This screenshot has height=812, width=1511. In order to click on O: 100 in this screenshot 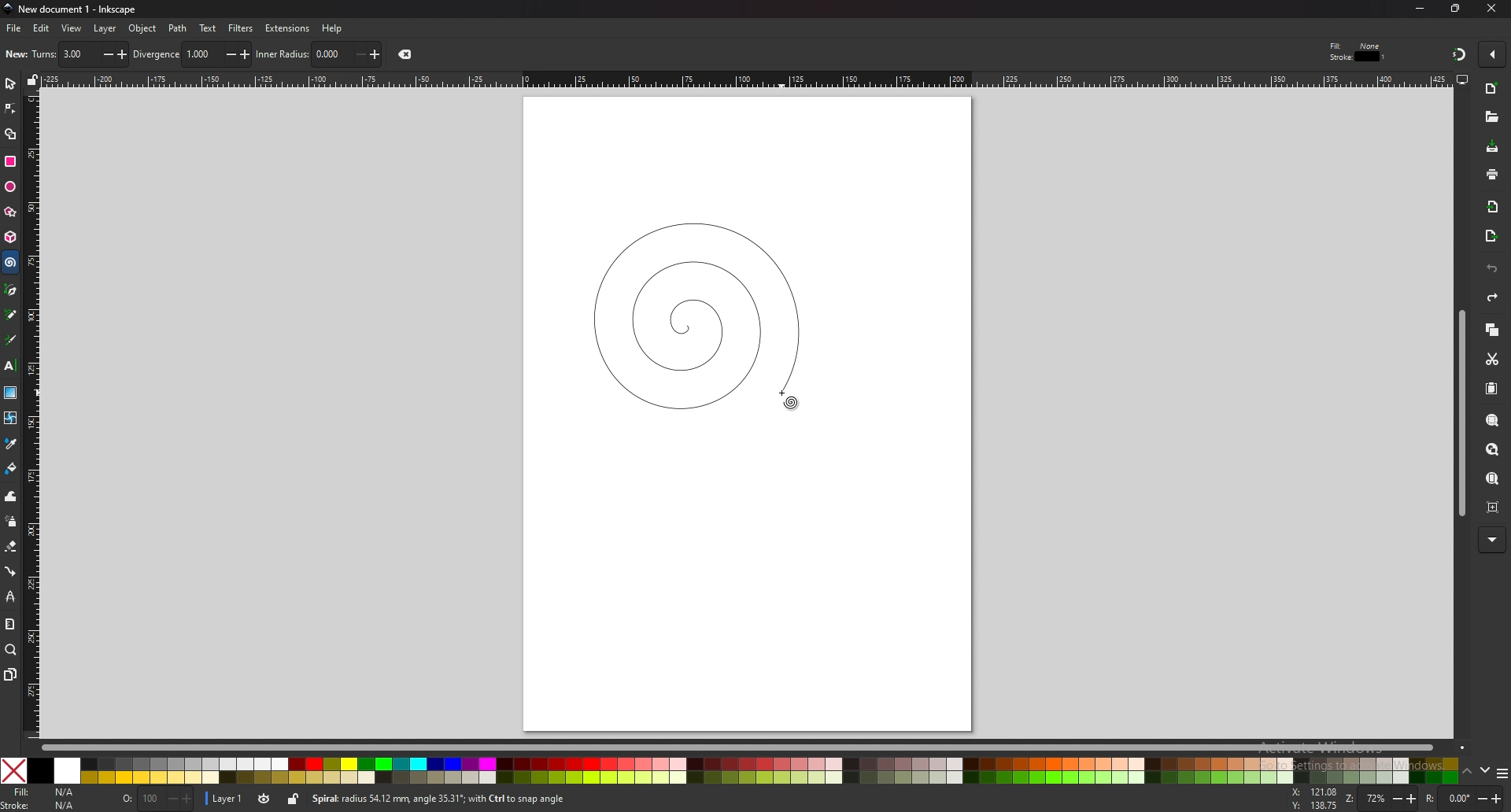, I will do `click(156, 799)`.